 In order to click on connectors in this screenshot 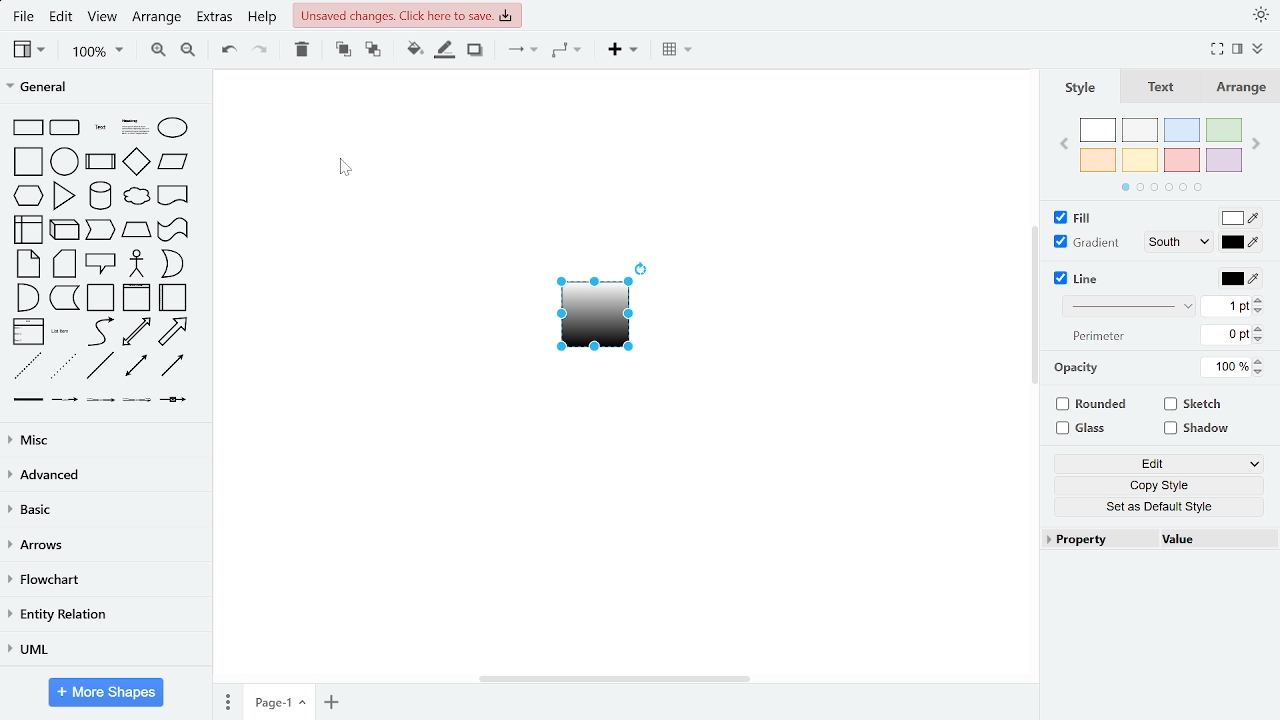, I will do `click(520, 51)`.